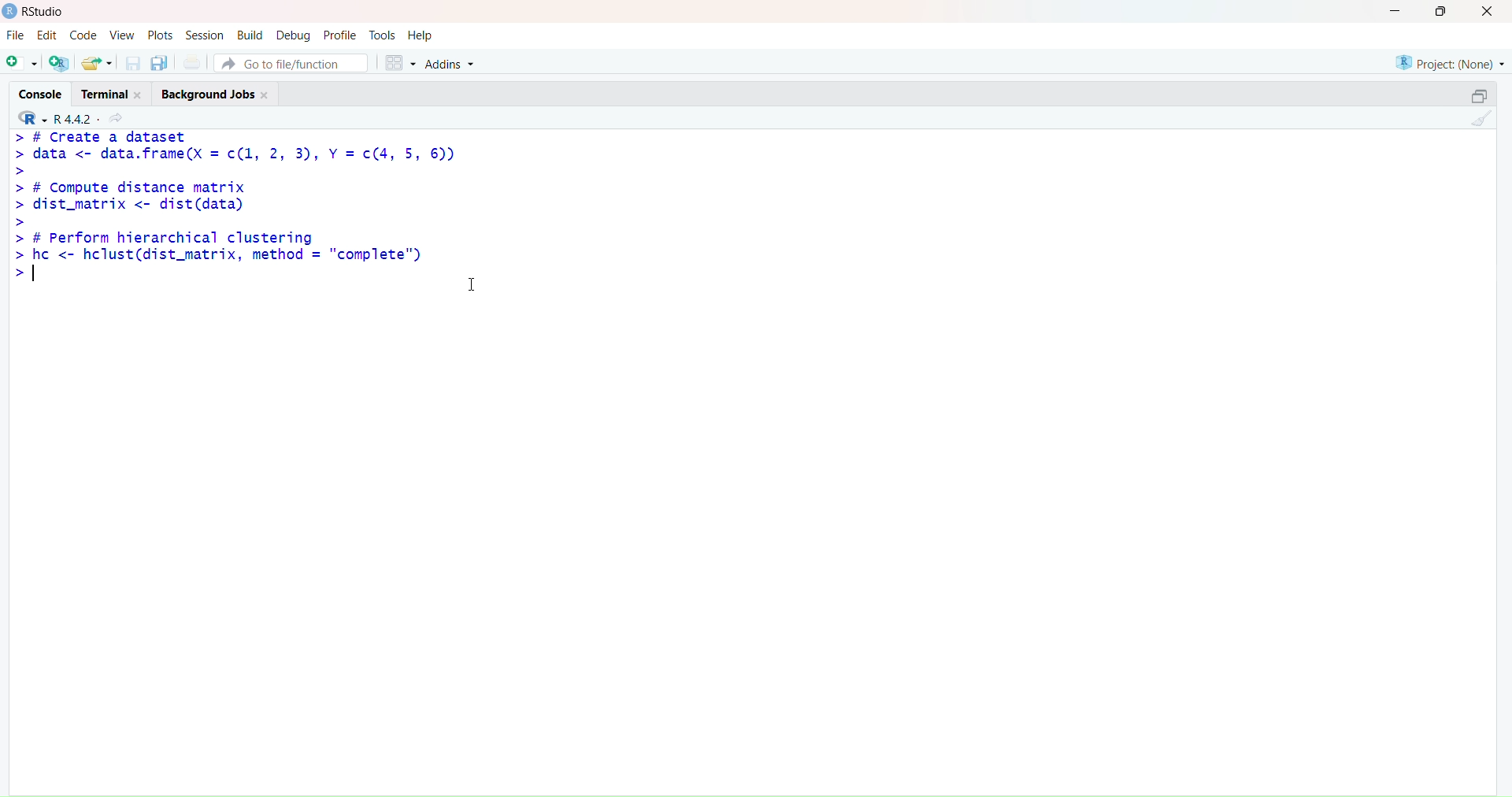 This screenshot has height=797, width=1512. Describe the element at coordinates (1446, 13) in the screenshot. I see `Maximize/Restore` at that location.